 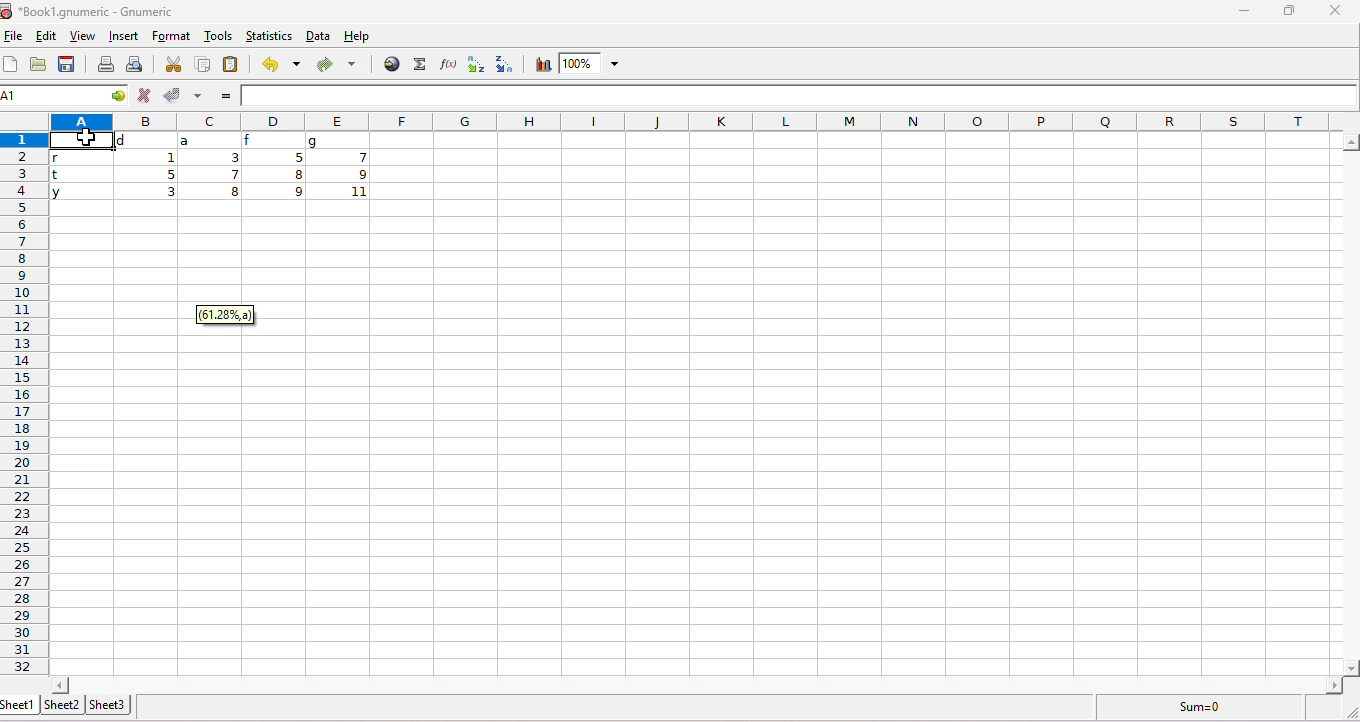 What do you see at coordinates (697, 684) in the screenshot?
I see `Horizontal scrollbar` at bounding box center [697, 684].